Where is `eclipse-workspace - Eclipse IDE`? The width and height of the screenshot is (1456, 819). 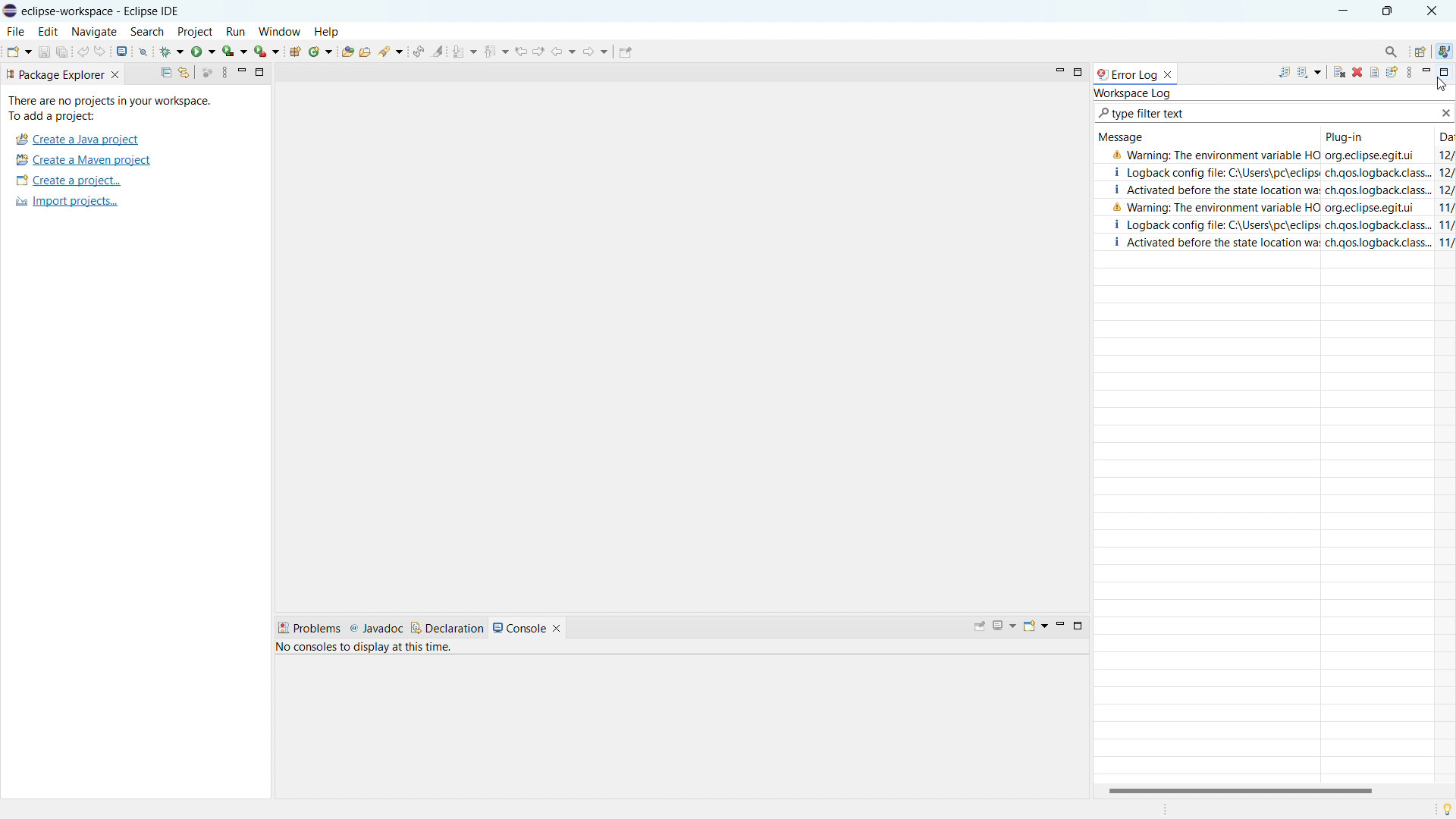
eclipse-workspace - Eclipse IDE is located at coordinates (108, 11).